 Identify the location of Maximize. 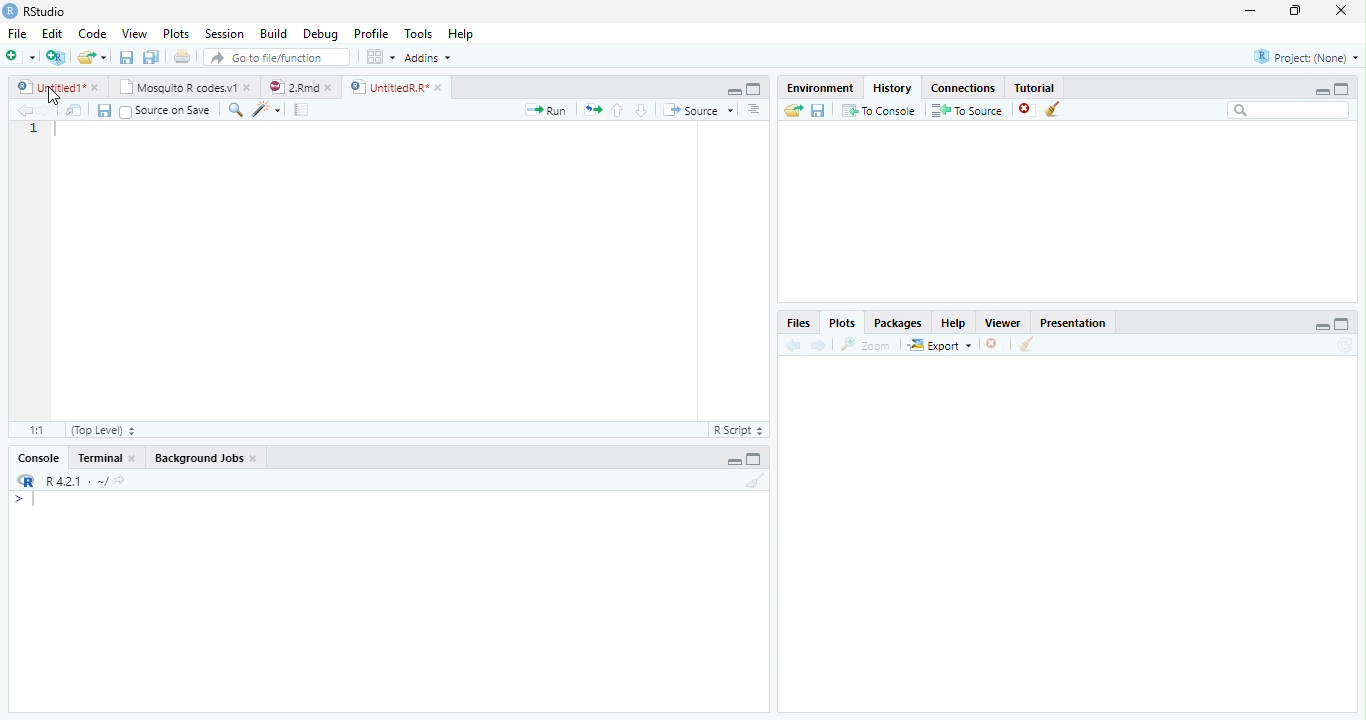
(1344, 88).